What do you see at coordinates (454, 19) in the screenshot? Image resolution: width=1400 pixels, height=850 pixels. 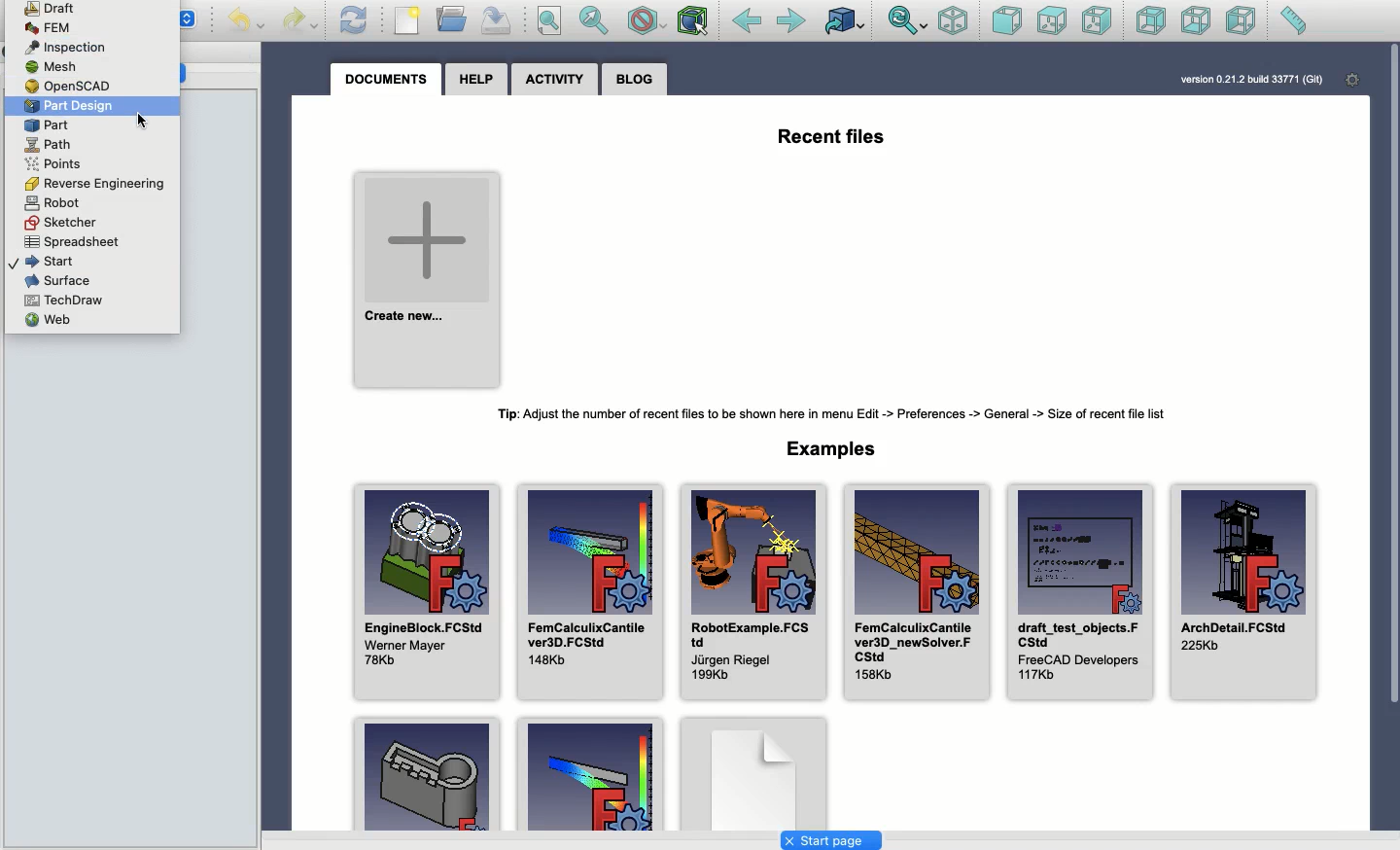 I see `Open` at bounding box center [454, 19].